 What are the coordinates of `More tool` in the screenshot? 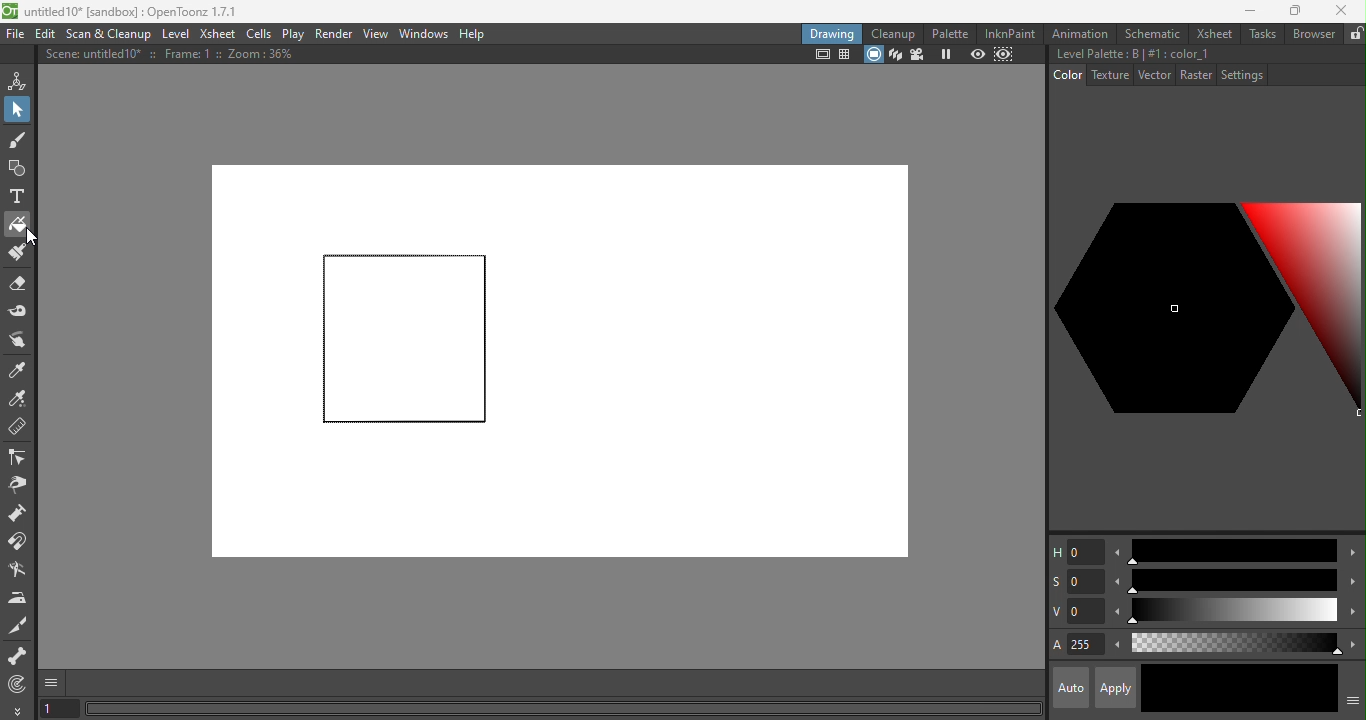 It's located at (18, 710).